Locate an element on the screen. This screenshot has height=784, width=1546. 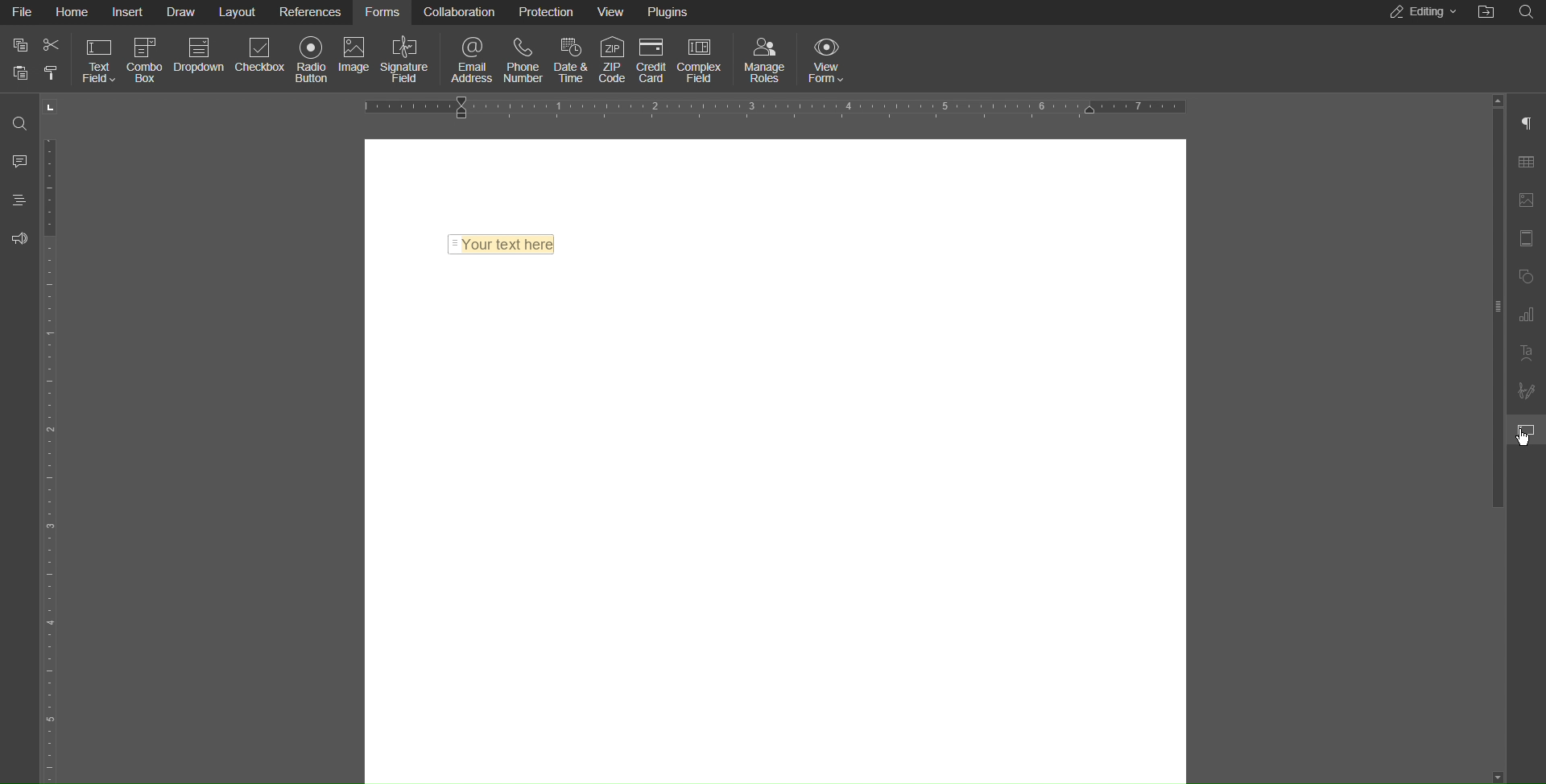
Header/Footer Settings is located at coordinates (1530, 239).